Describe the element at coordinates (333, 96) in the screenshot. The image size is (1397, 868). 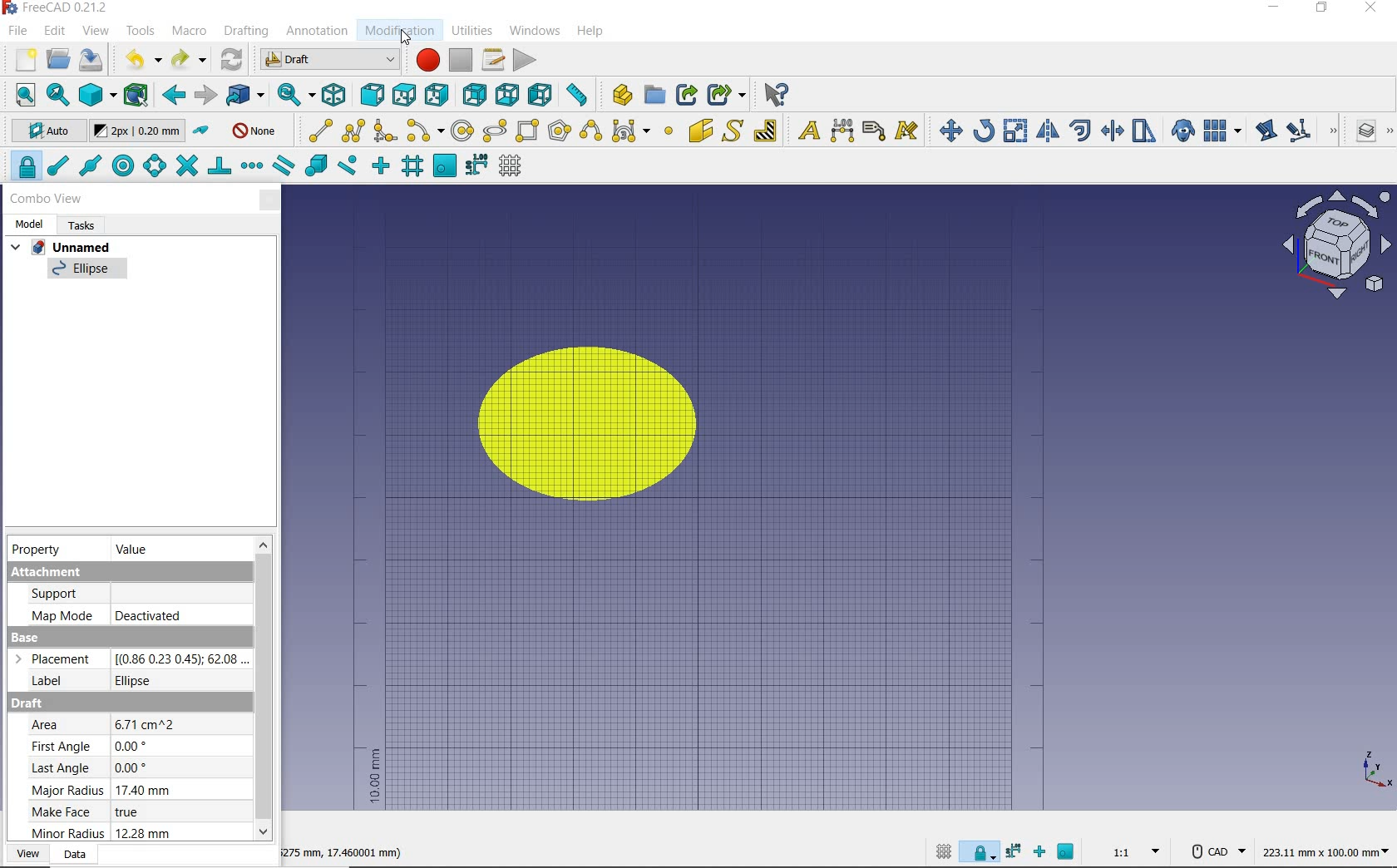
I see `isometric` at that location.